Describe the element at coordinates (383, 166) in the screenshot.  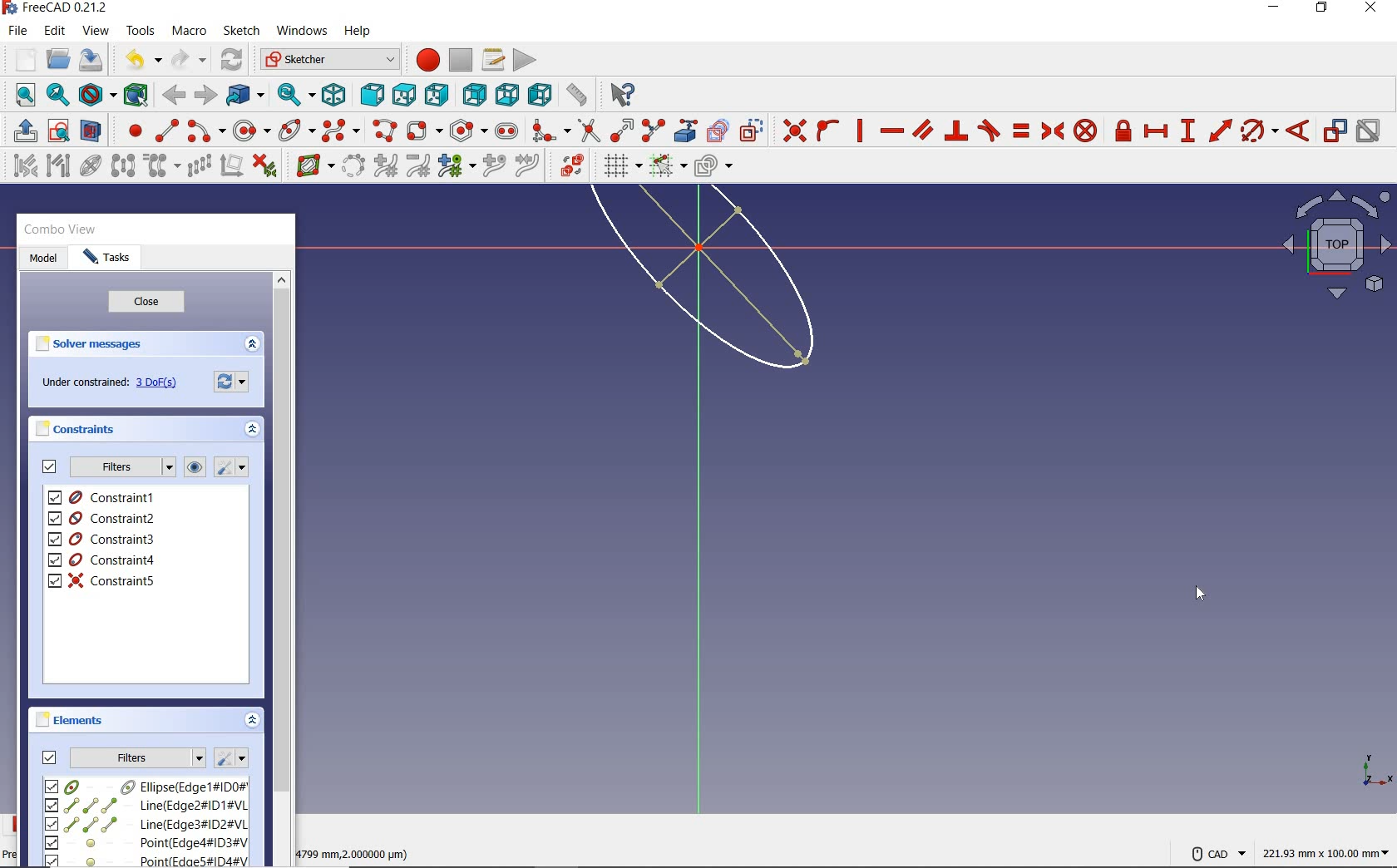
I see `increase B-Spline Degree` at that location.